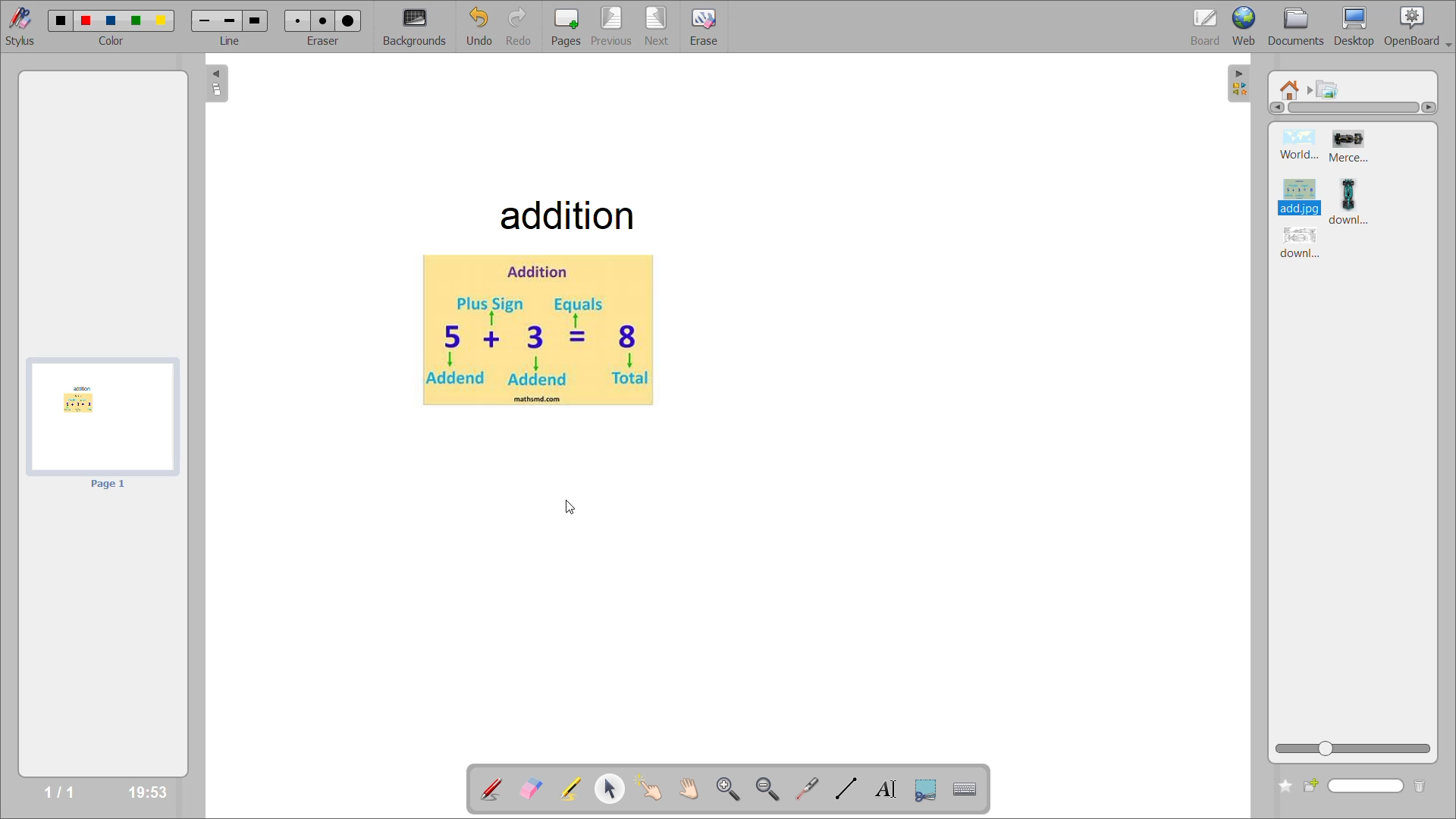 This screenshot has height=819, width=1456. I want to click on image 1, so click(1300, 146).